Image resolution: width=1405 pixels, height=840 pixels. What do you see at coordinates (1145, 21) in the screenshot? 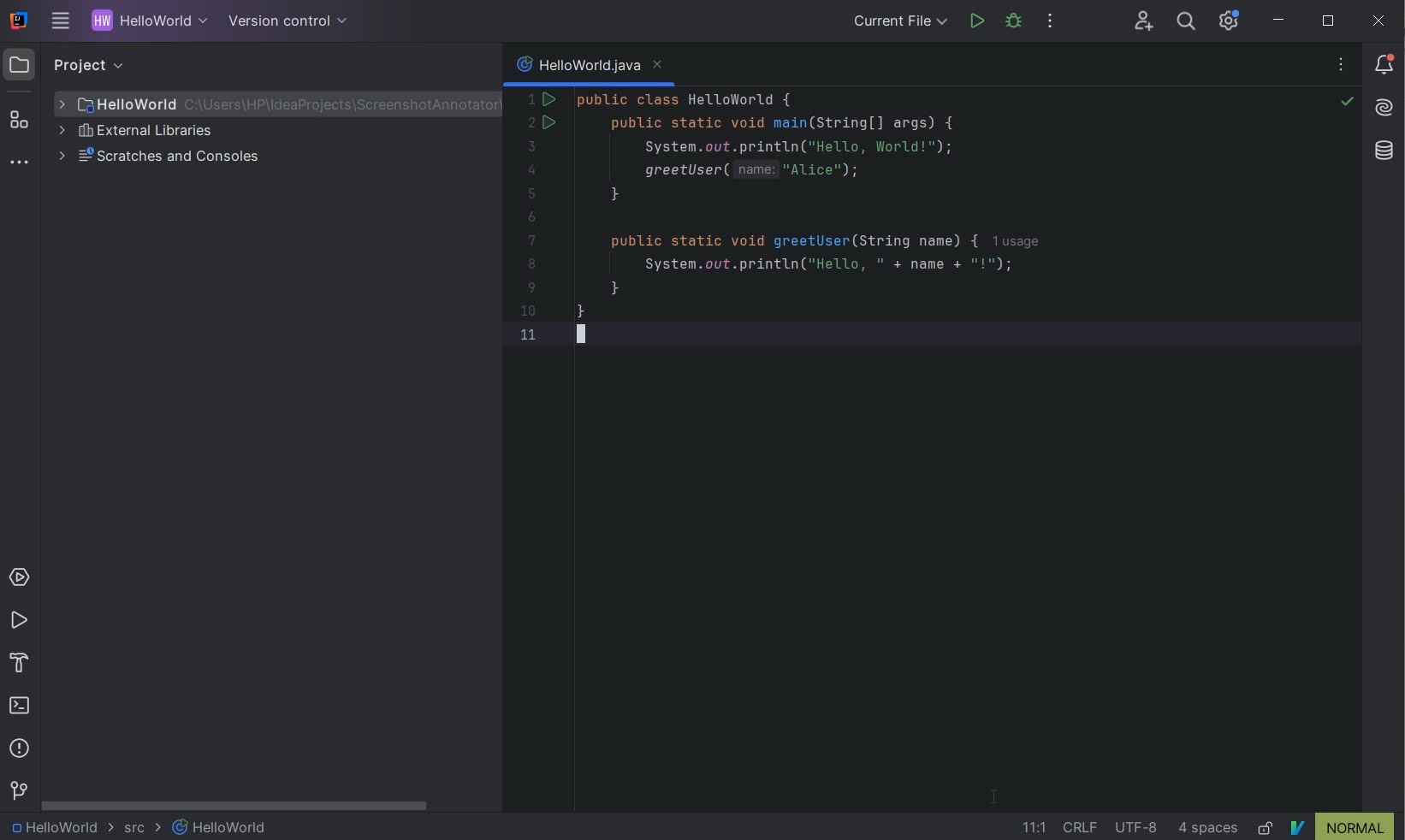
I see `CODE WITH ME` at bounding box center [1145, 21].